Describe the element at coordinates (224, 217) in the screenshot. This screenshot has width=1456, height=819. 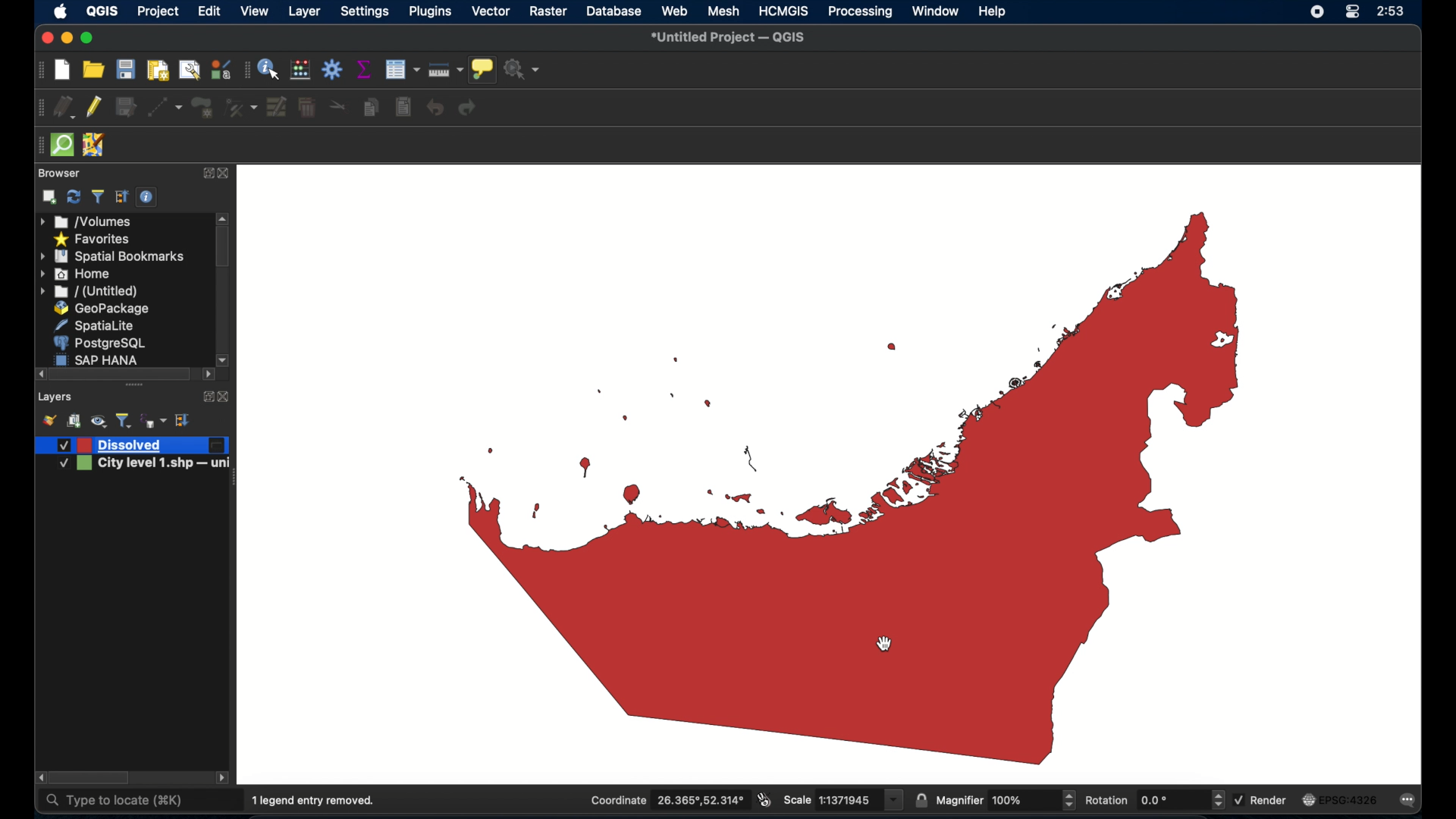
I see `scroll up arrow` at that location.